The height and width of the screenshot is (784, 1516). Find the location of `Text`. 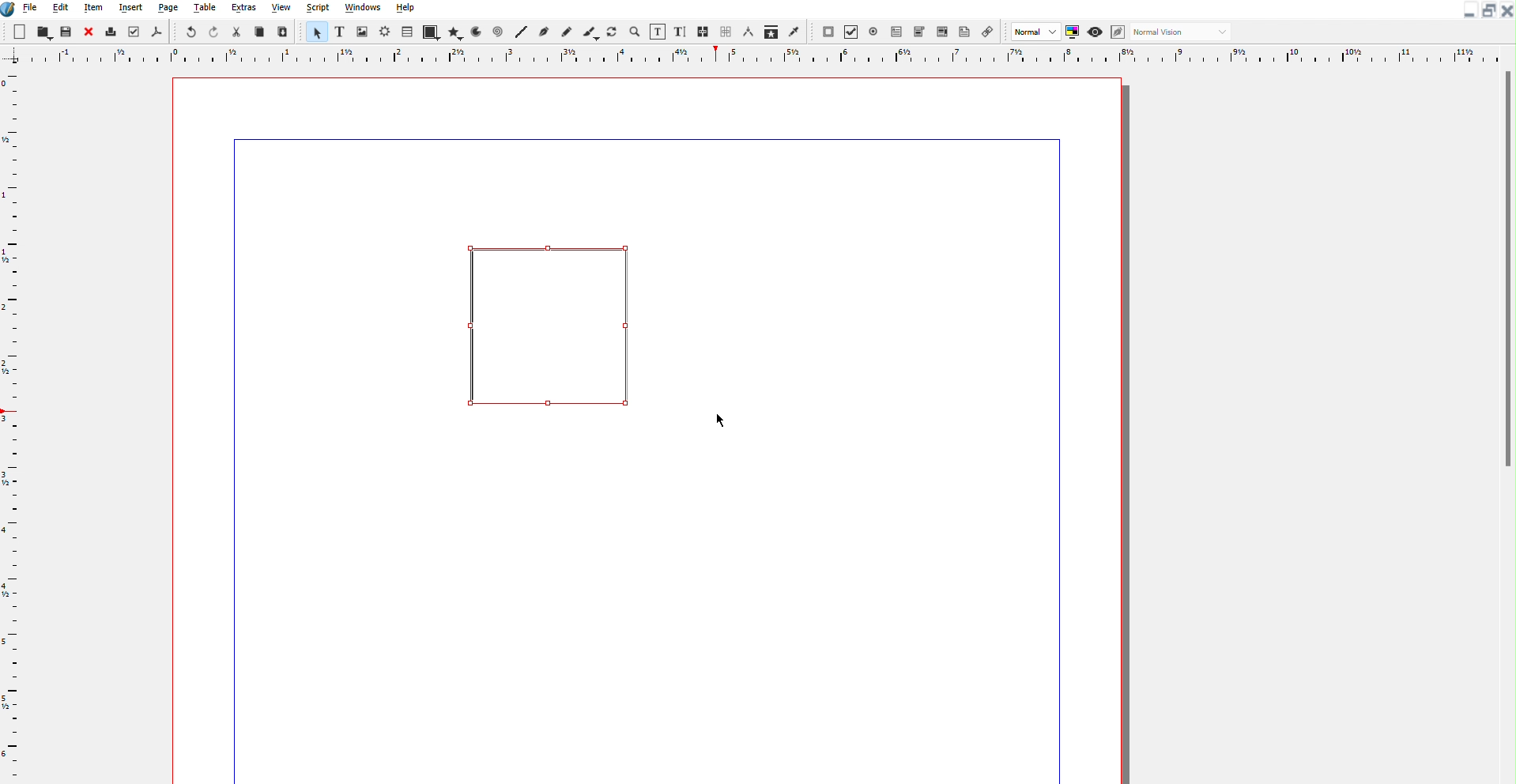

Text is located at coordinates (338, 32).